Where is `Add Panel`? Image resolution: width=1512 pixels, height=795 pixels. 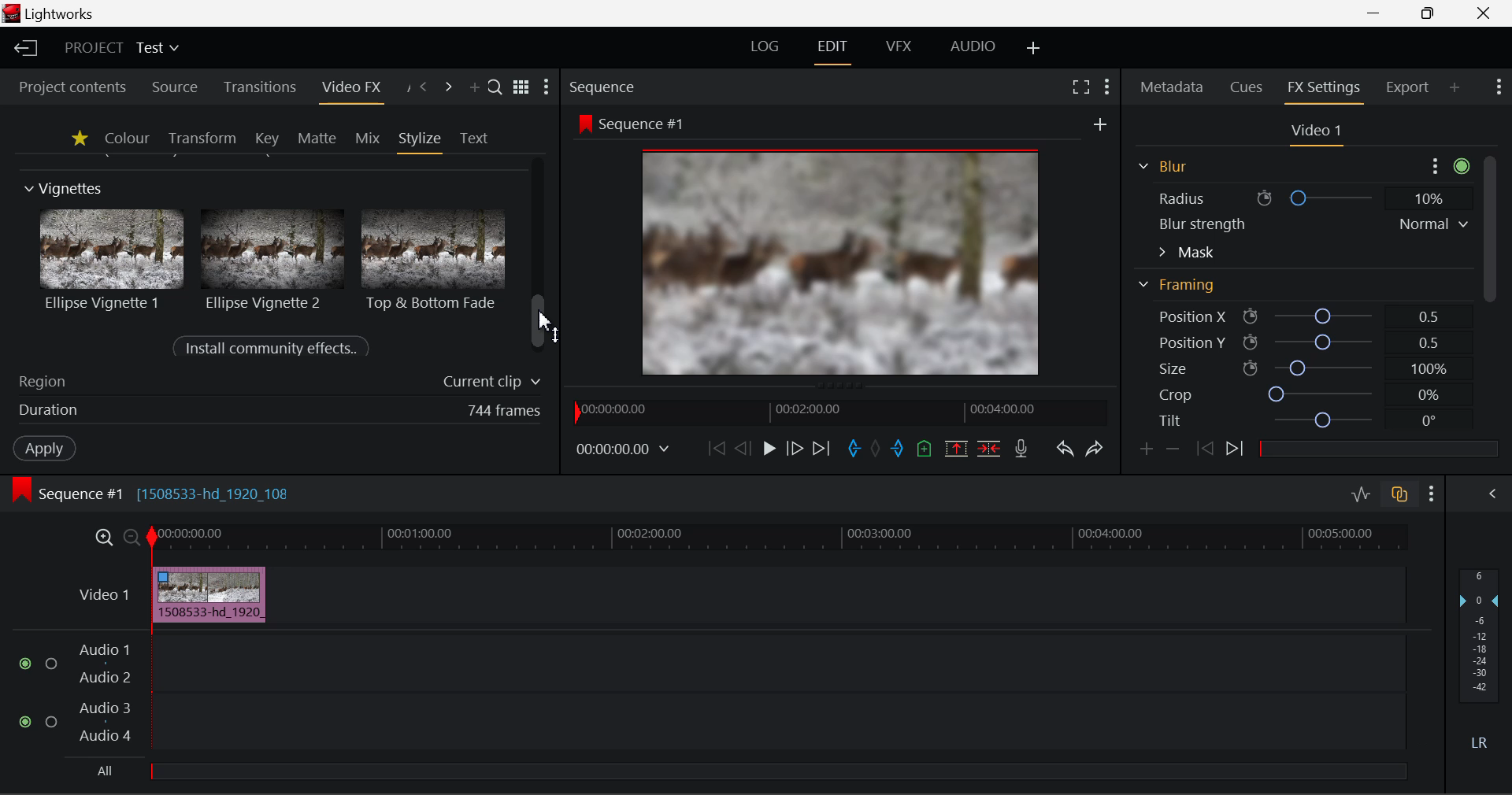 Add Panel is located at coordinates (474, 89).